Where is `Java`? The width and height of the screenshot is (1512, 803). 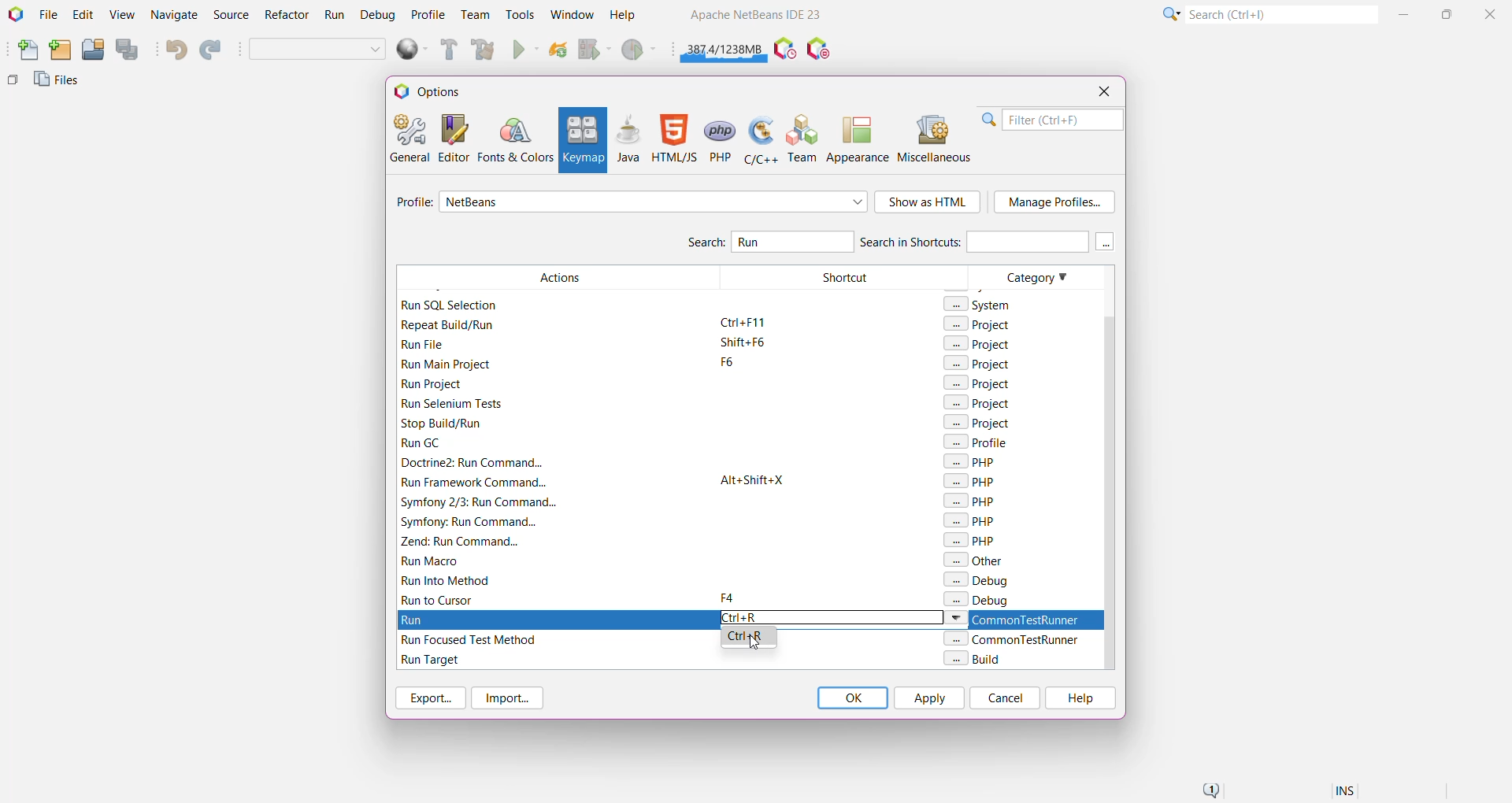
Java is located at coordinates (628, 139).